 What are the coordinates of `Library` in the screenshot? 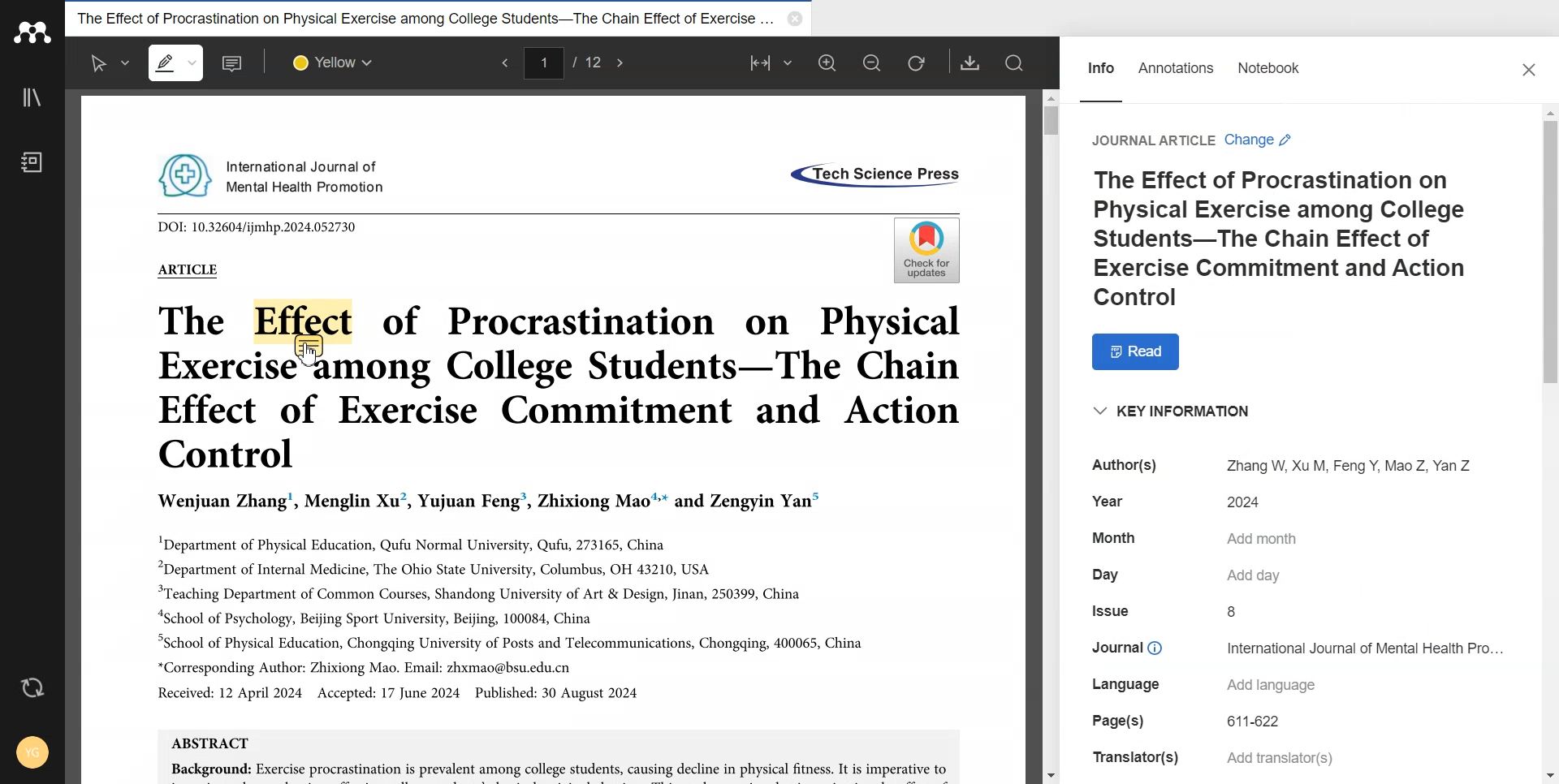 It's located at (32, 97).